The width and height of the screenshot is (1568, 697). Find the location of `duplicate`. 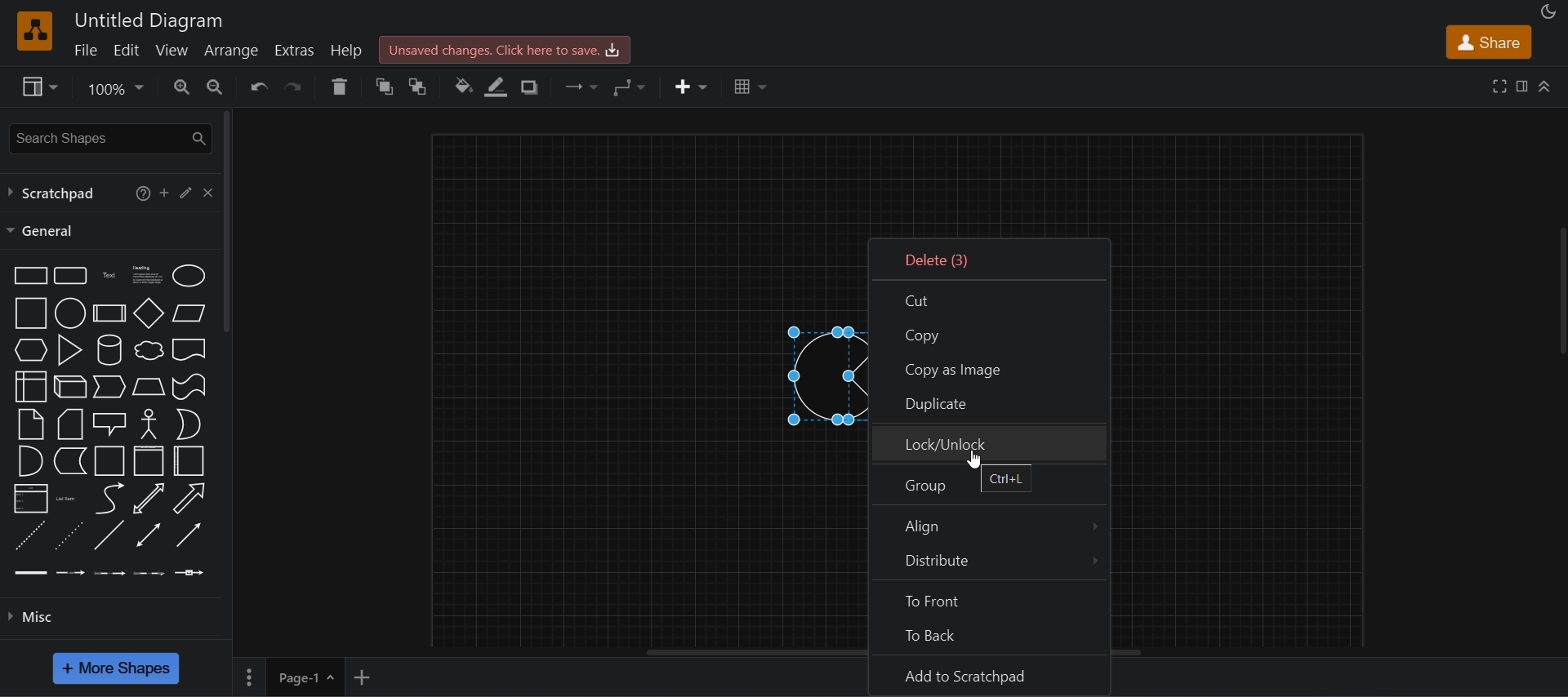

duplicate is located at coordinates (985, 404).